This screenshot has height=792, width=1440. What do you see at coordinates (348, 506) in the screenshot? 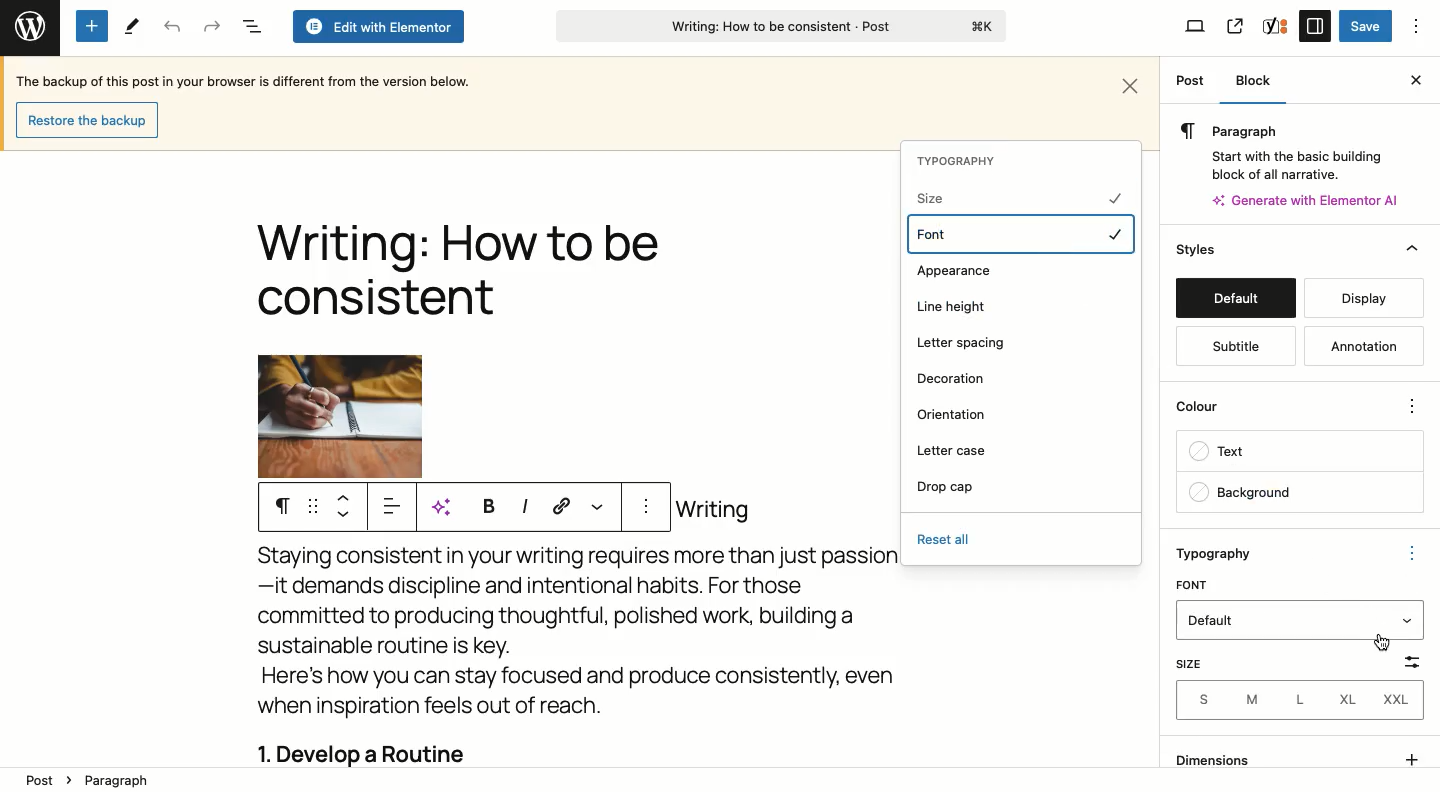
I see `Move up down` at bounding box center [348, 506].